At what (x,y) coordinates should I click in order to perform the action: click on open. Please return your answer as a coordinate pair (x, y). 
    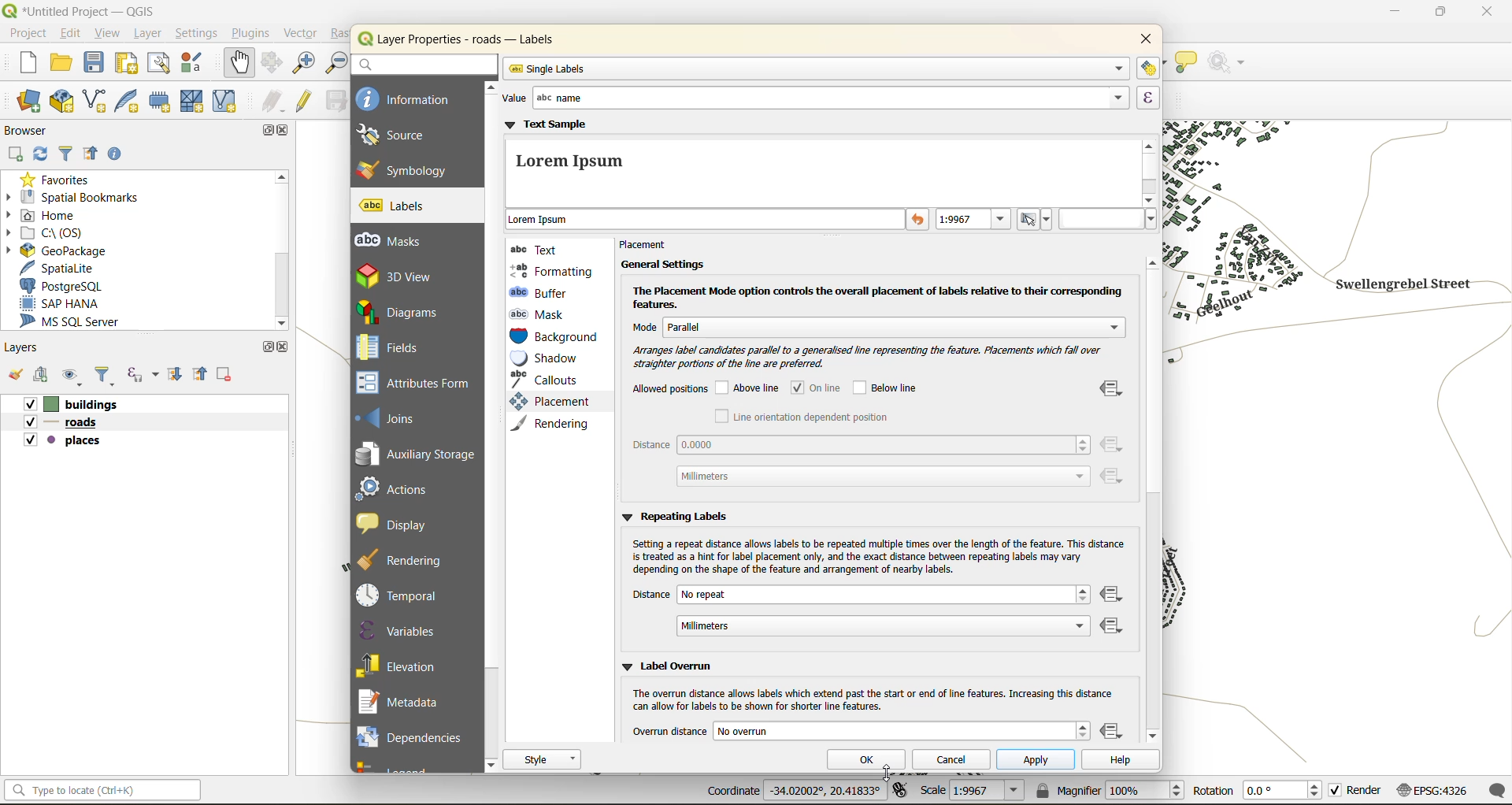
    Looking at the image, I should click on (13, 373).